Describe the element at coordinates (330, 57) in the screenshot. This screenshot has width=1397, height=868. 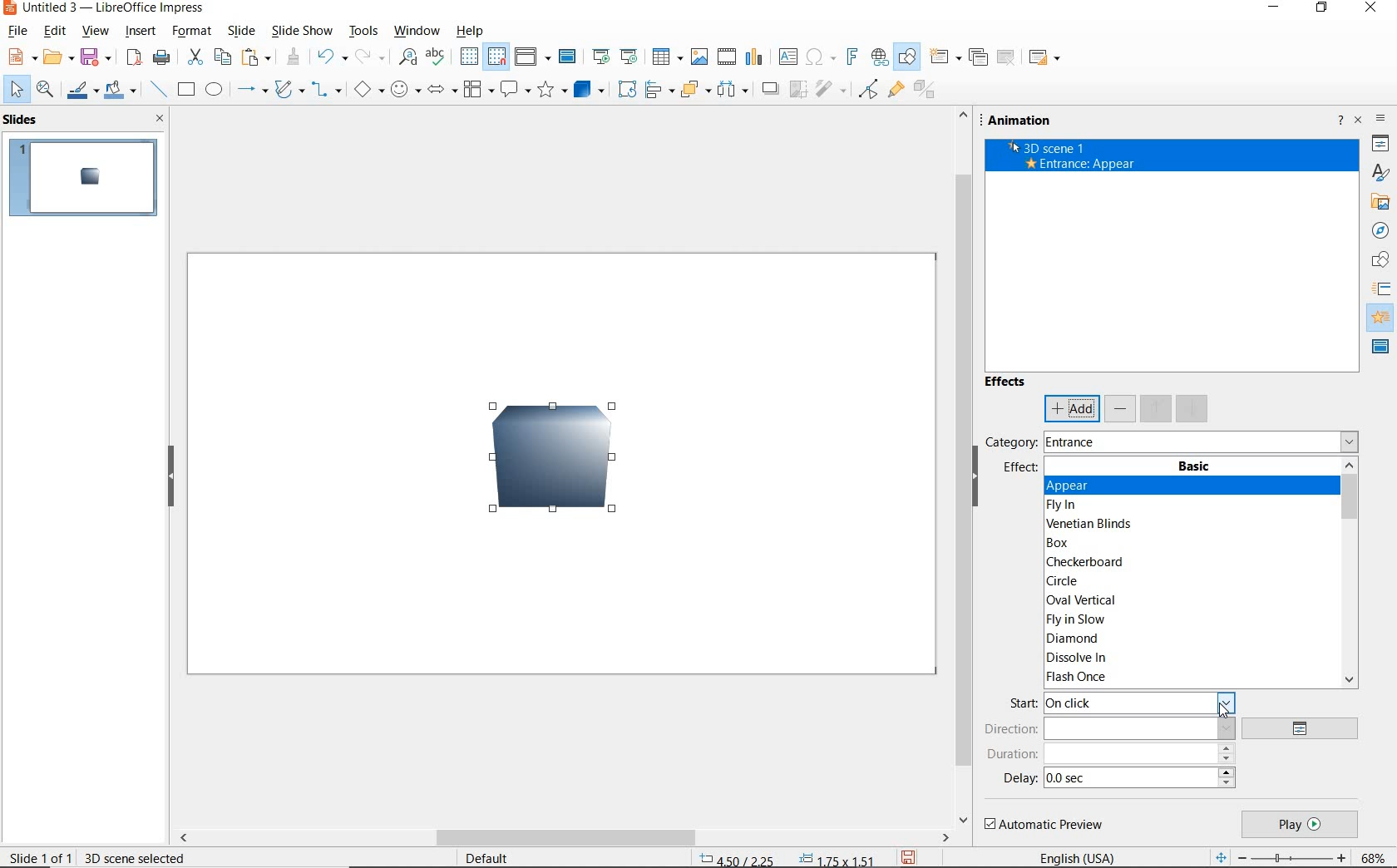
I see `undo` at that location.